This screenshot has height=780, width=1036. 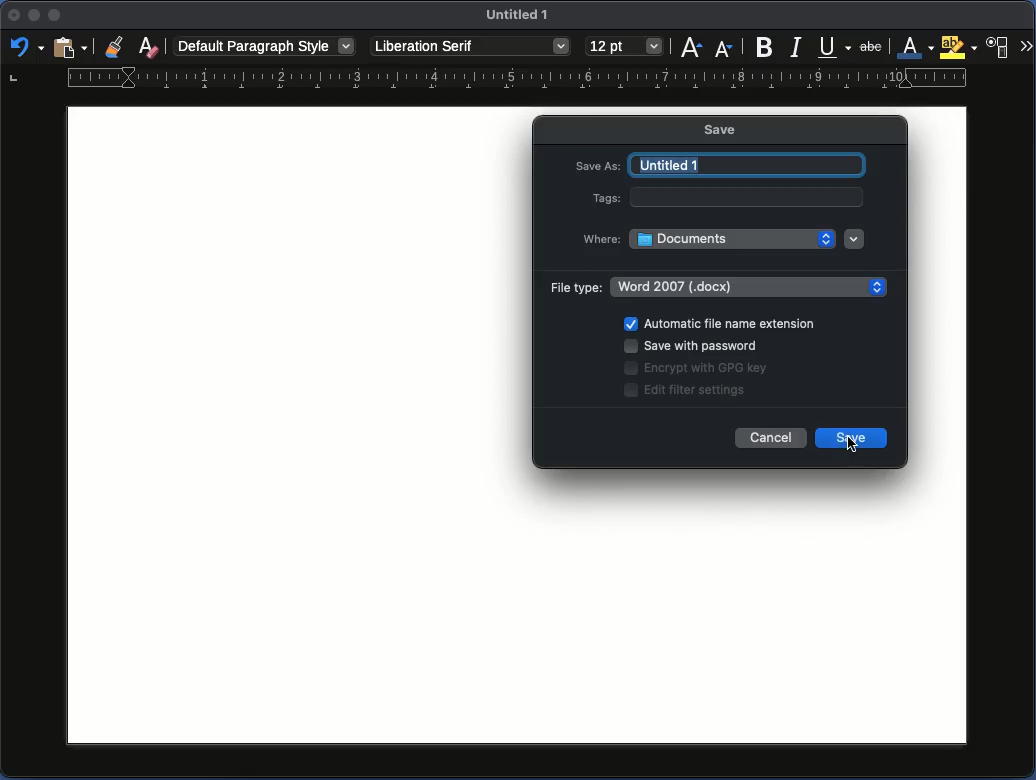 What do you see at coordinates (733, 239) in the screenshot?
I see `documents` at bounding box center [733, 239].